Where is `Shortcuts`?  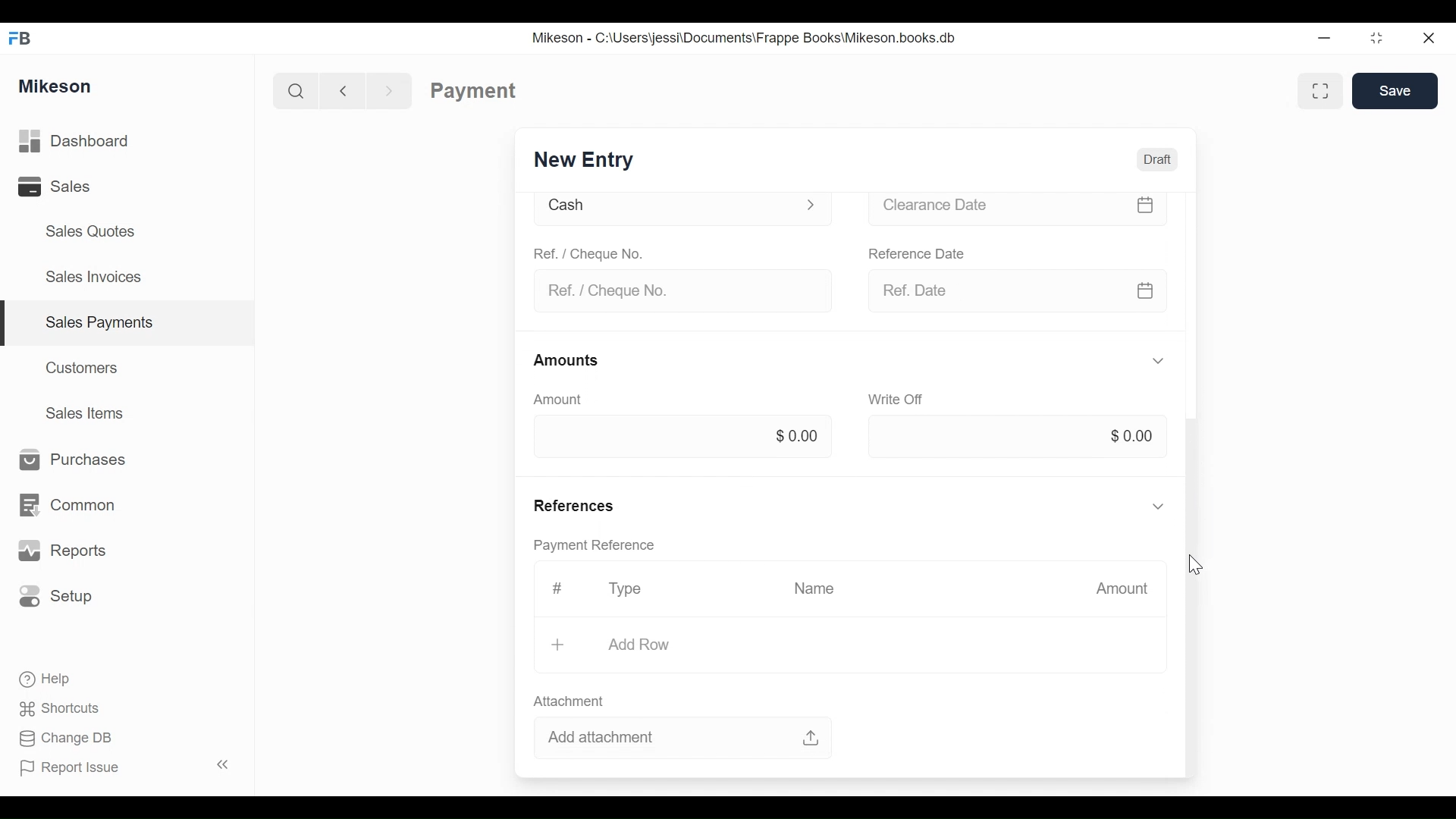 Shortcuts is located at coordinates (66, 704).